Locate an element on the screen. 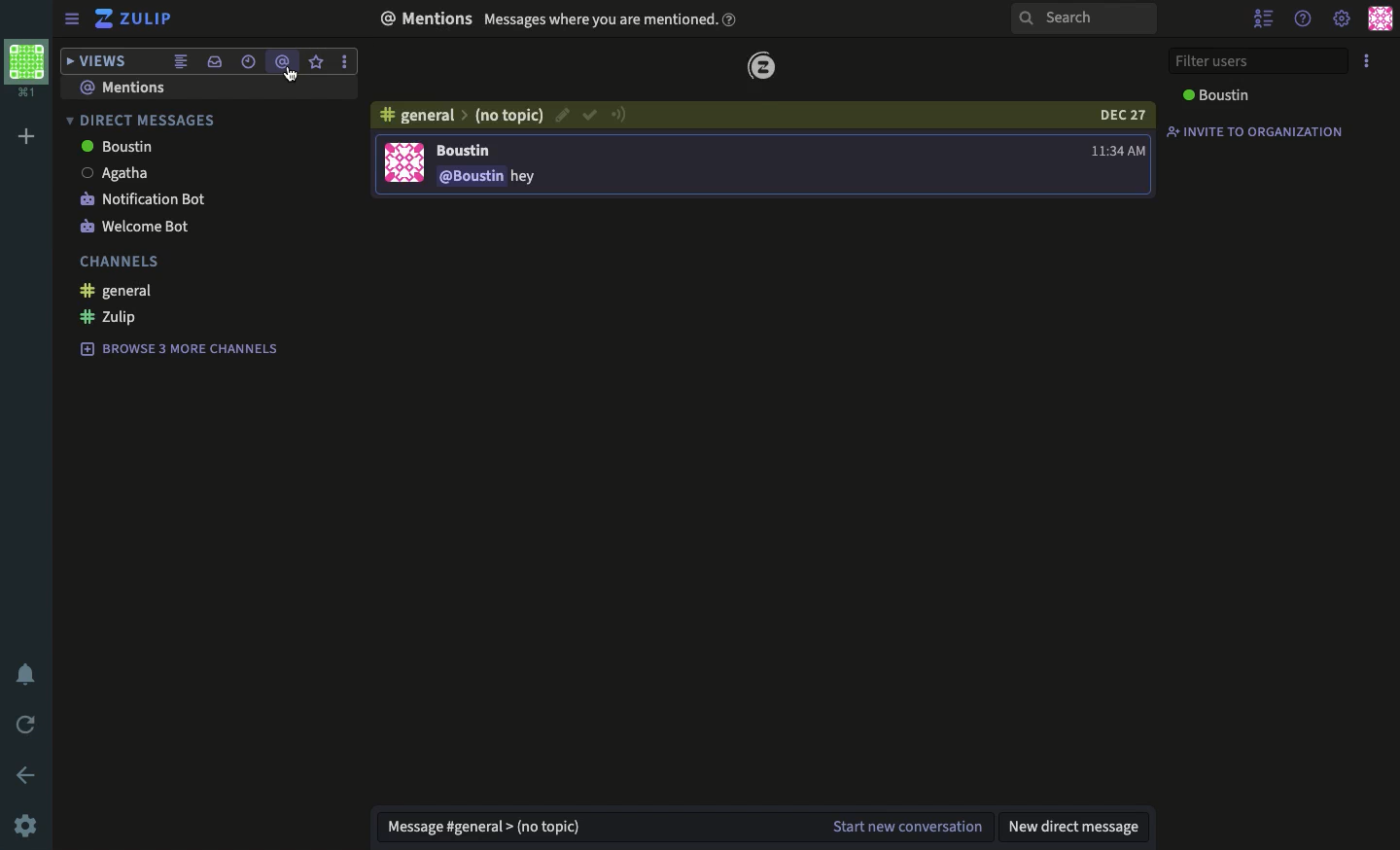 The width and height of the screenshot is (1400, 850). star is located at coordinates (319, 61).